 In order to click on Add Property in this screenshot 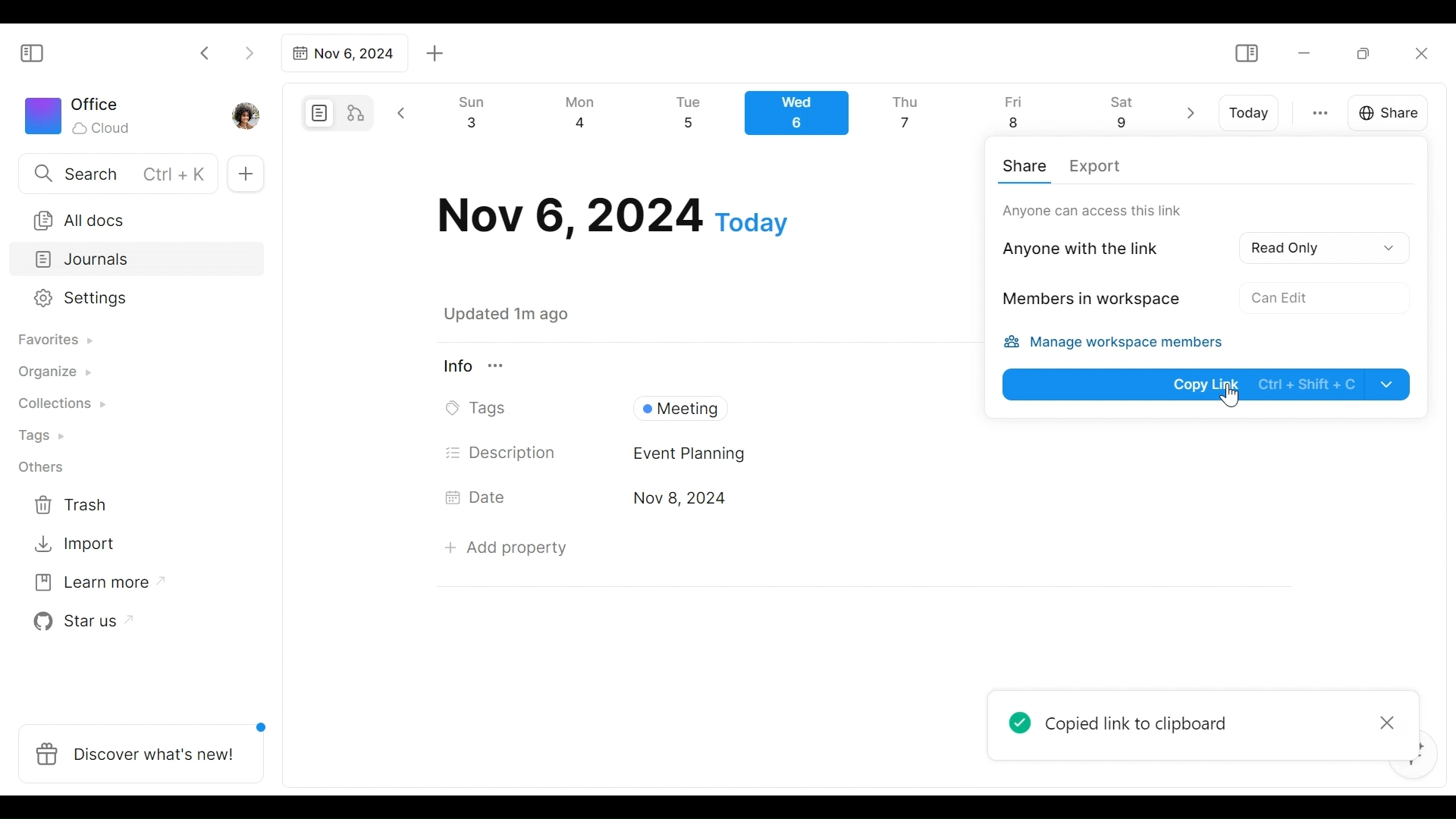, I will do `click(506, 548)`.